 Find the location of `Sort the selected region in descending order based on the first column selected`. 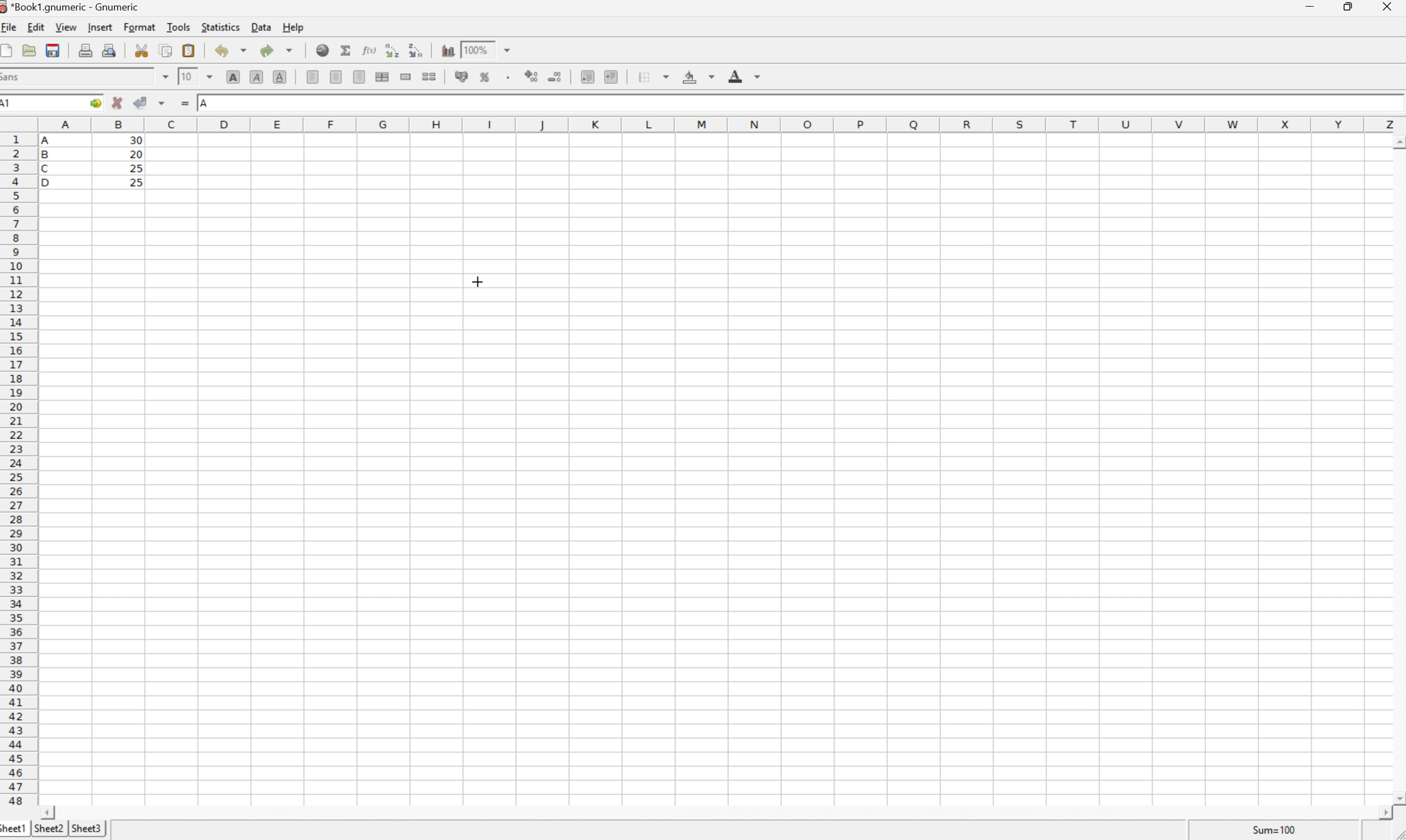

Sort the selected region in descending order based on the first column selected is located at coordinates (415, 49).